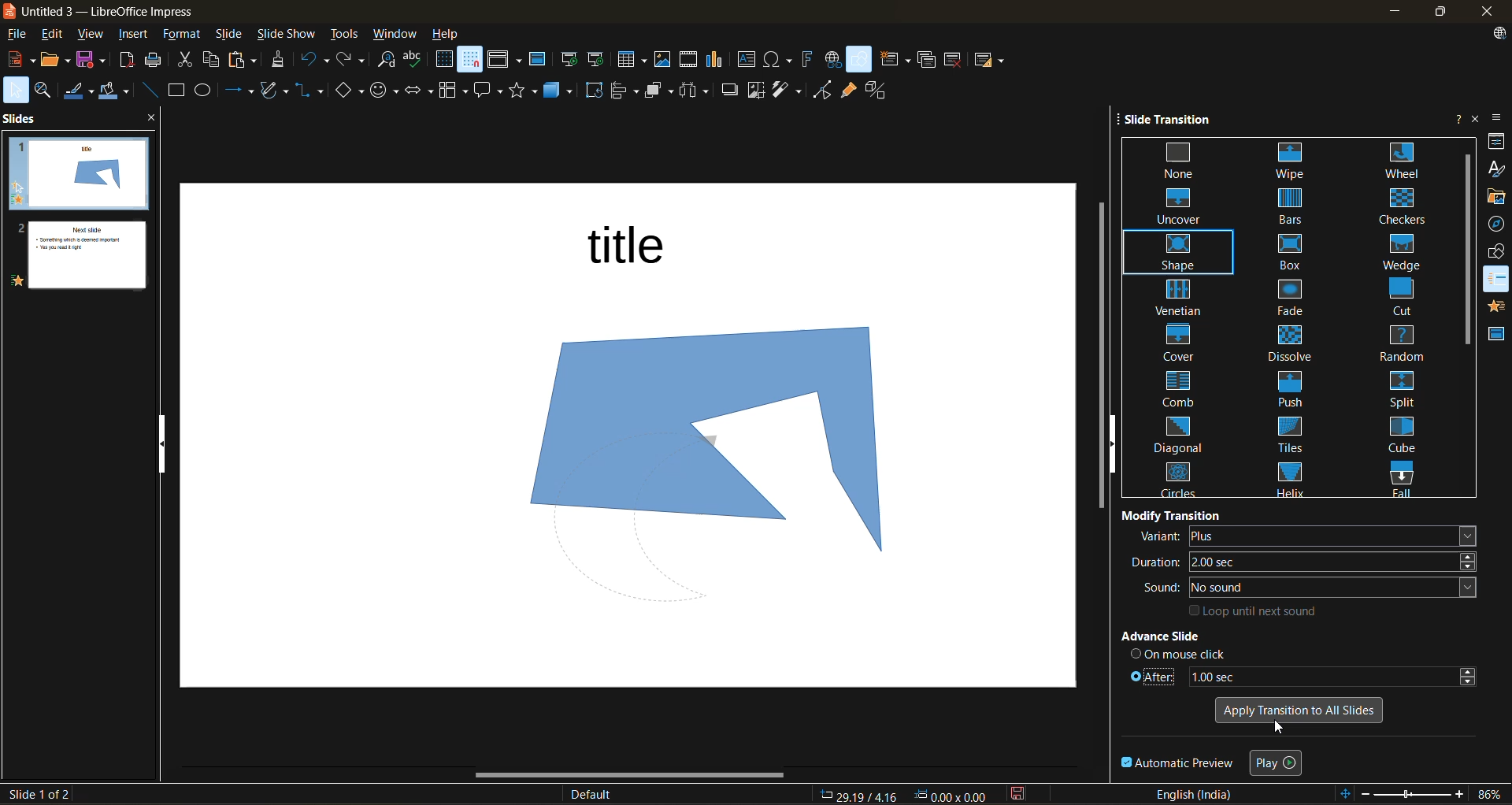 The image size is (1512, 805). I want to click on update, so click(1501, 33).